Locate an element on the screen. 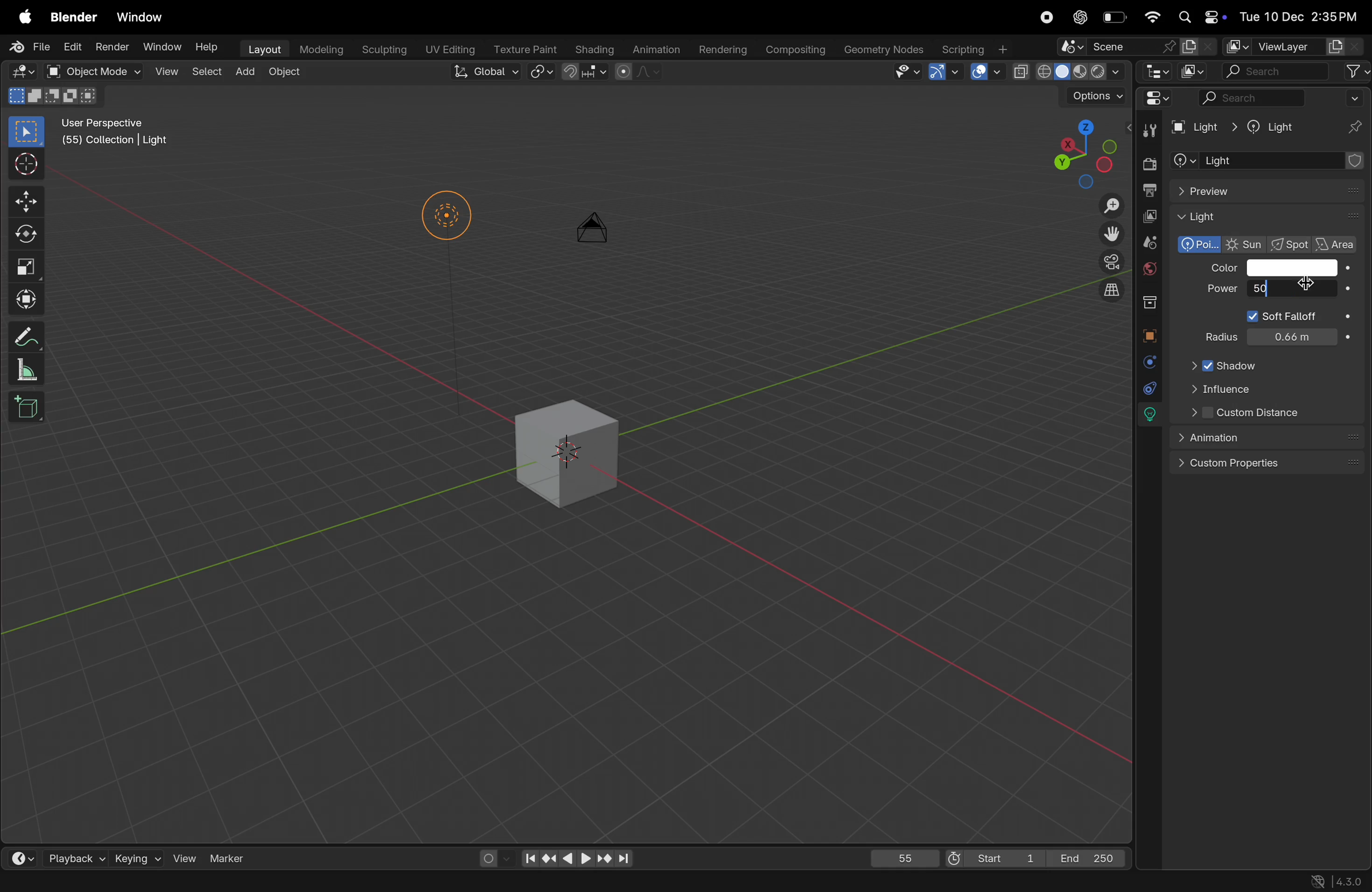 This screenshot has width=1372, height=892. influence is located at coordinates (1253, 388).